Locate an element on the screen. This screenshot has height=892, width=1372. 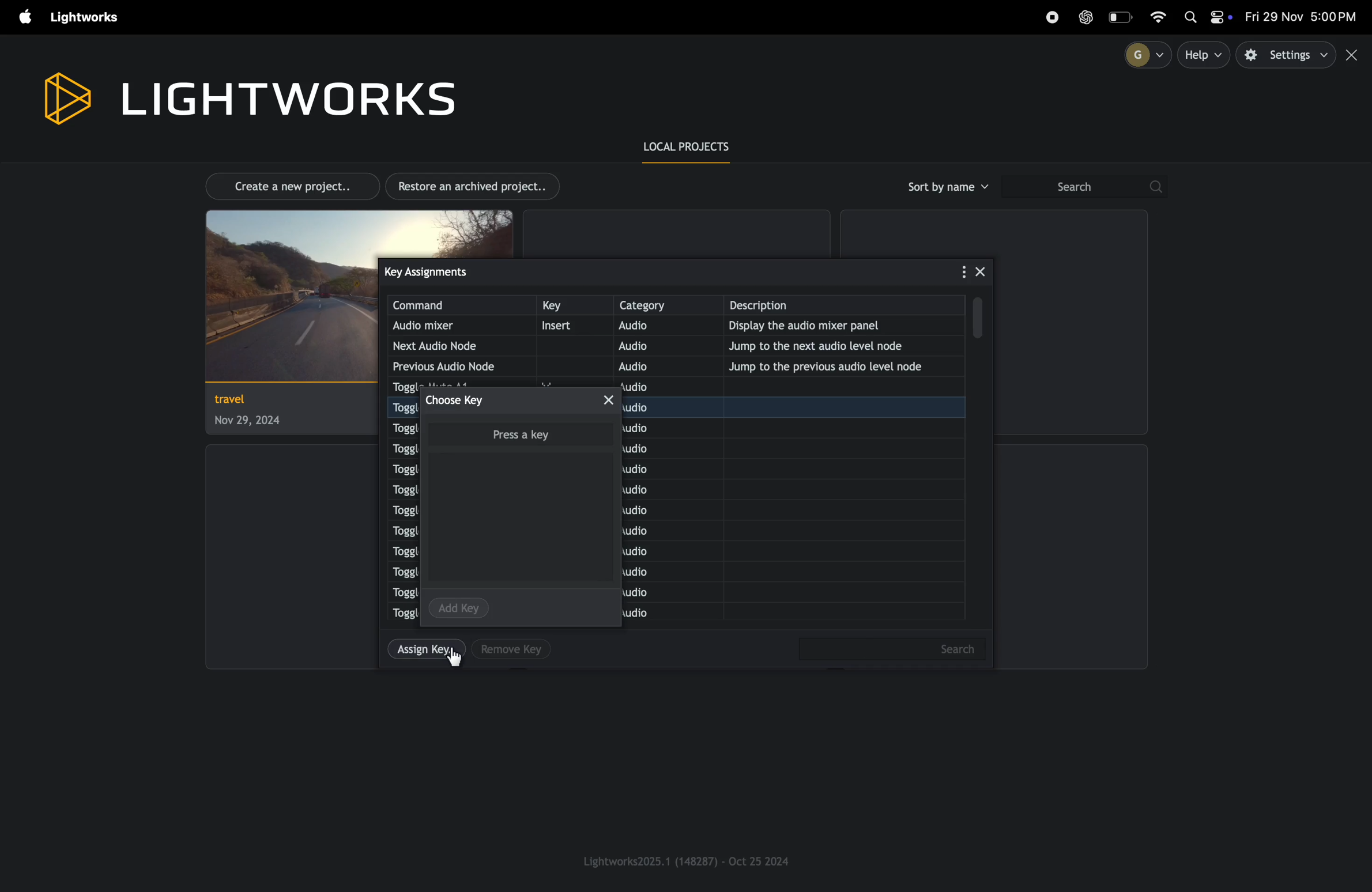
local prroject is located at coordinates (695, 148).